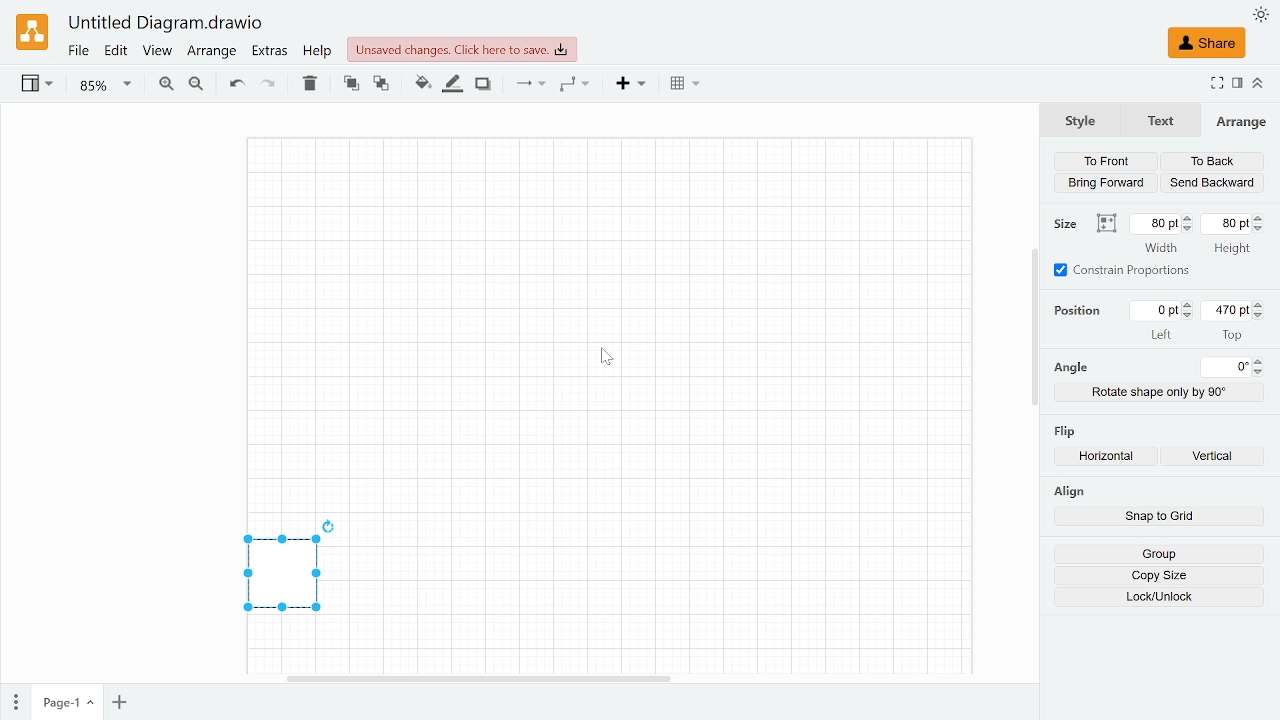 The height and width of the screenshot is (720, 1280). What do you see at coordinates (575, 85) in the screenshot?
I see `Waypoints` at bounding box center [575, 85].